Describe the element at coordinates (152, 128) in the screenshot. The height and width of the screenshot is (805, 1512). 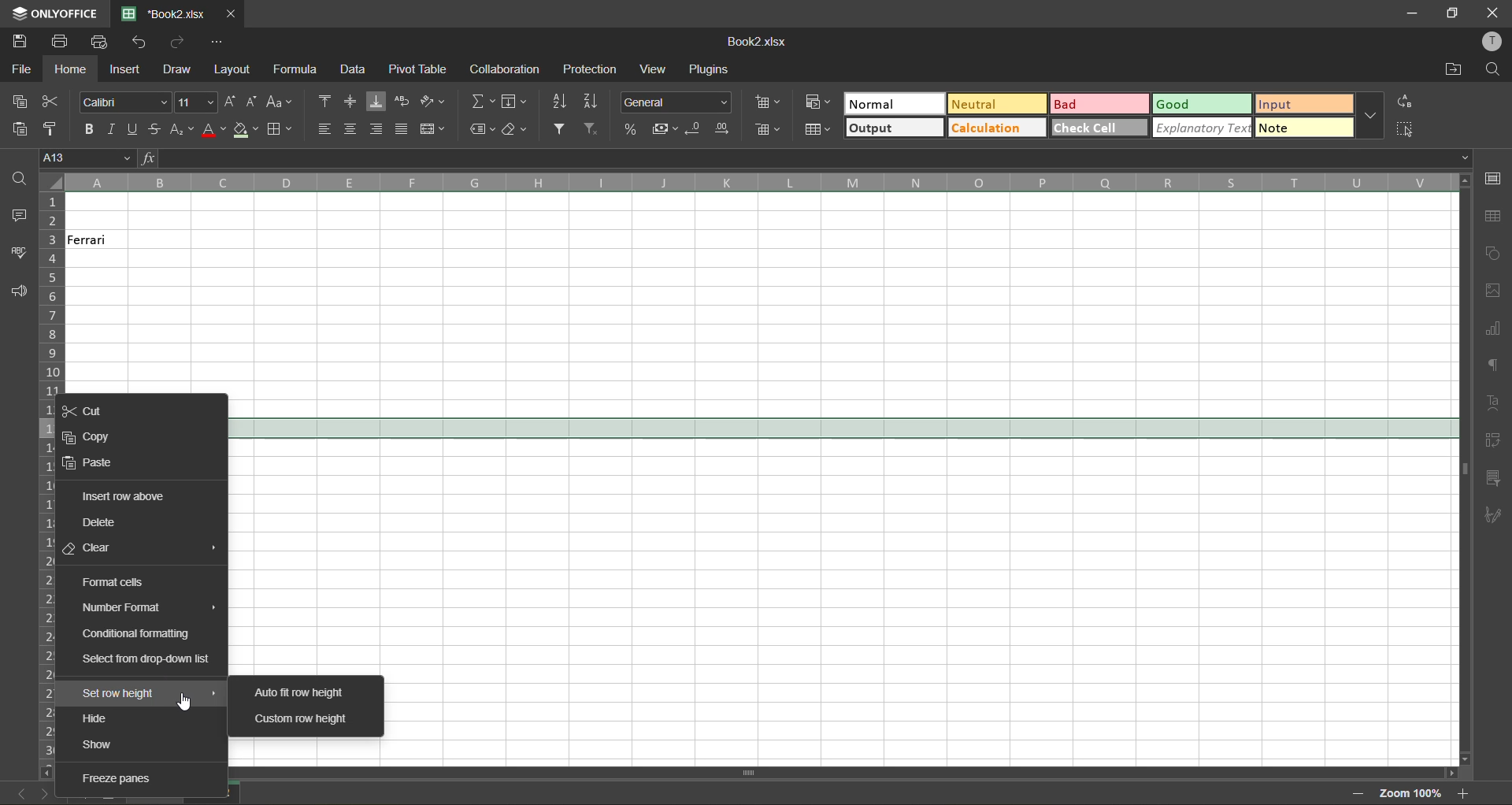
I see `strikethrough` at that location.